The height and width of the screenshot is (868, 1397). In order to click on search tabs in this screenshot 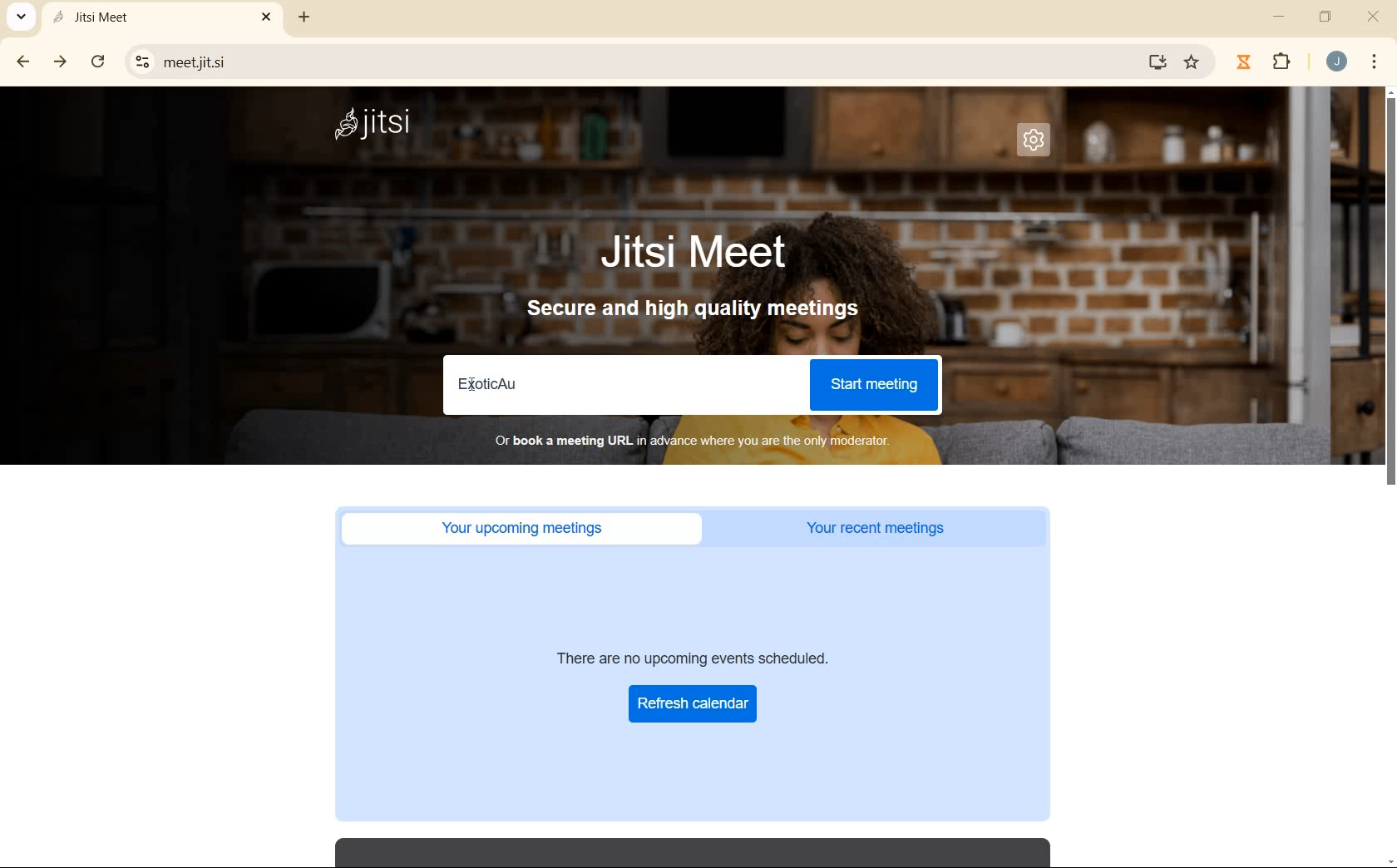, I will do `click(22, 16)`.